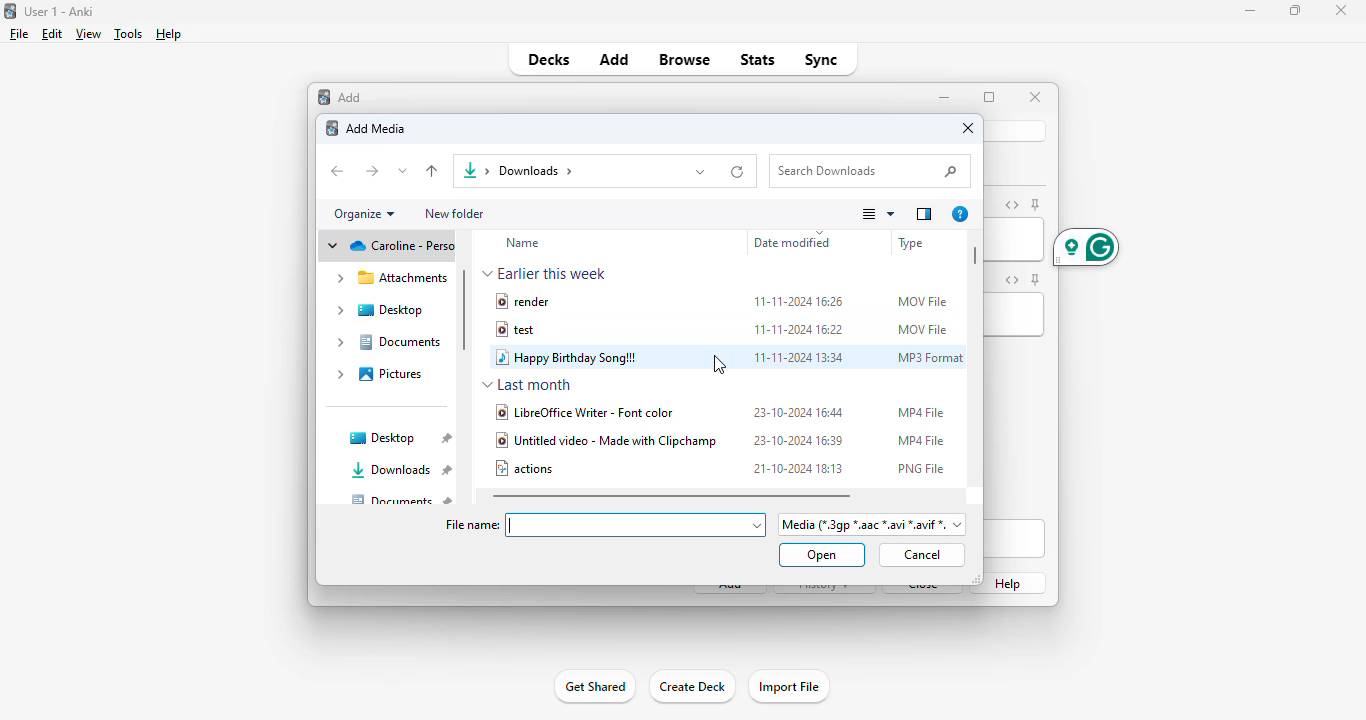 This screenshot has height=720, width=1366. Describe the element at coordinates (363, 213) in the screenshot. I see `organize` at that location.